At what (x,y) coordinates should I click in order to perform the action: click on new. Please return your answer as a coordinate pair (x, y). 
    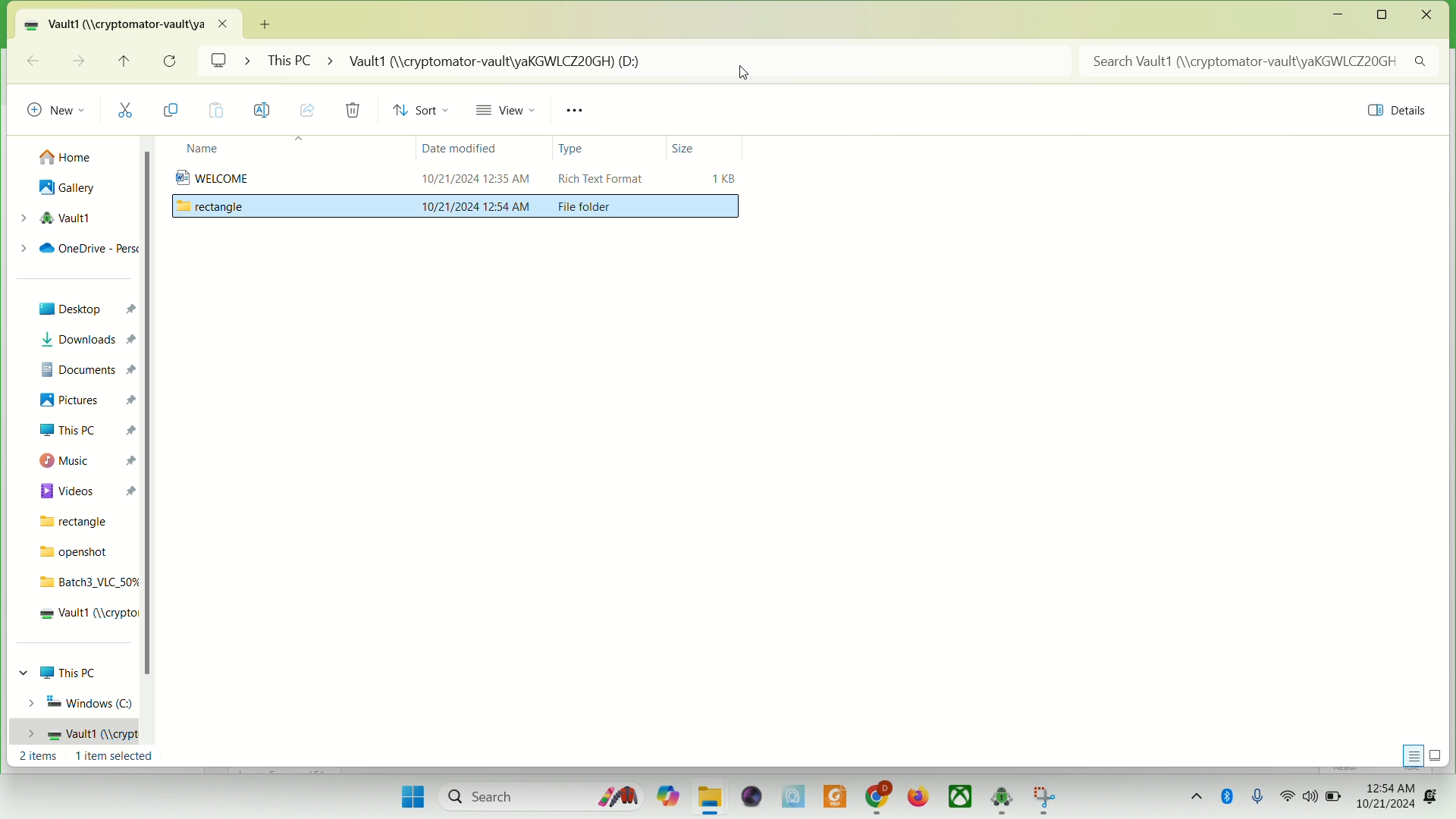
    Looking at the image, I should click on (56, 106).